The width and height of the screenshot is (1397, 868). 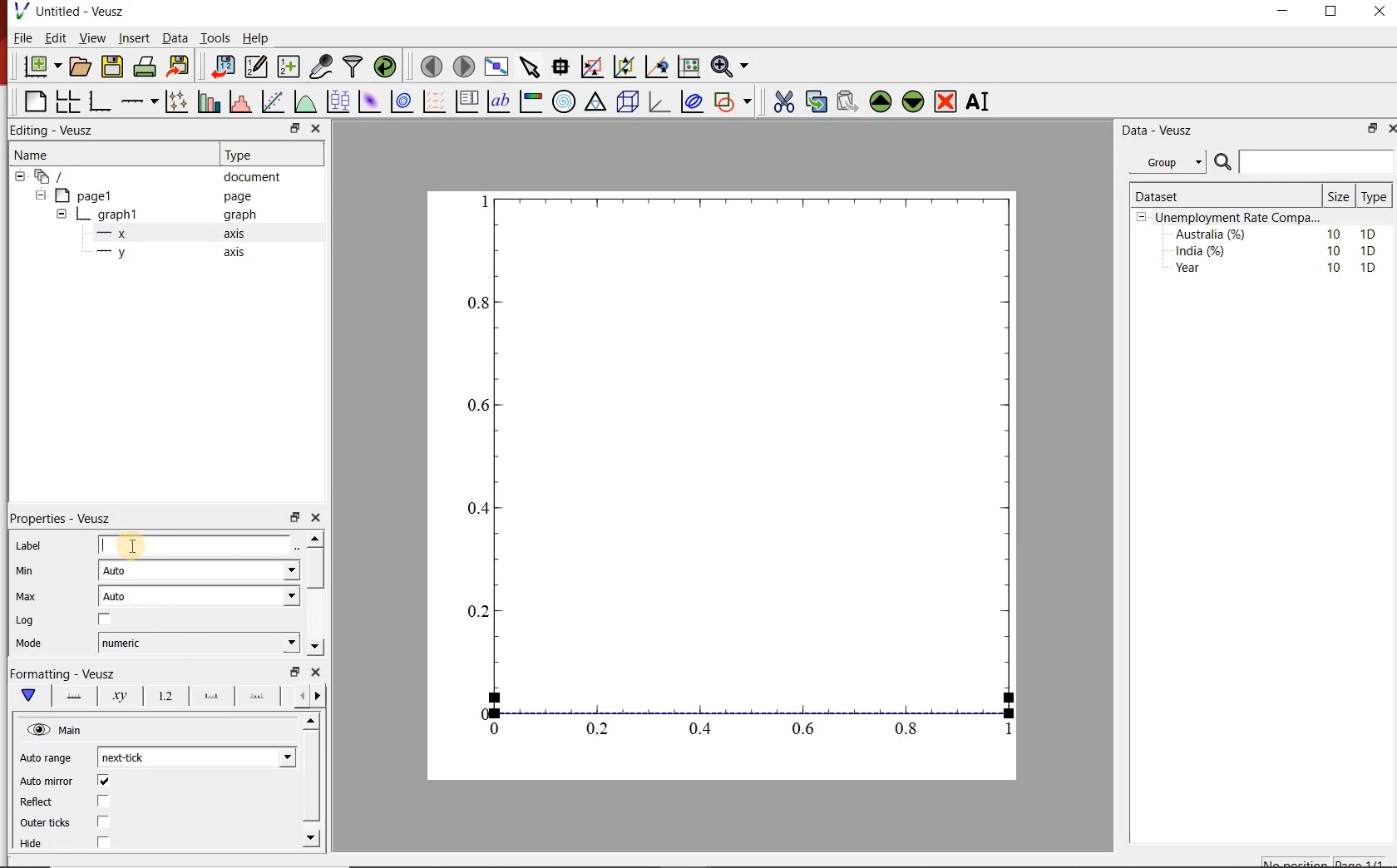 What do you see at coordinates (565, 102) in the screenshot?
I see `polar graph` at bounding box center [565, 102].